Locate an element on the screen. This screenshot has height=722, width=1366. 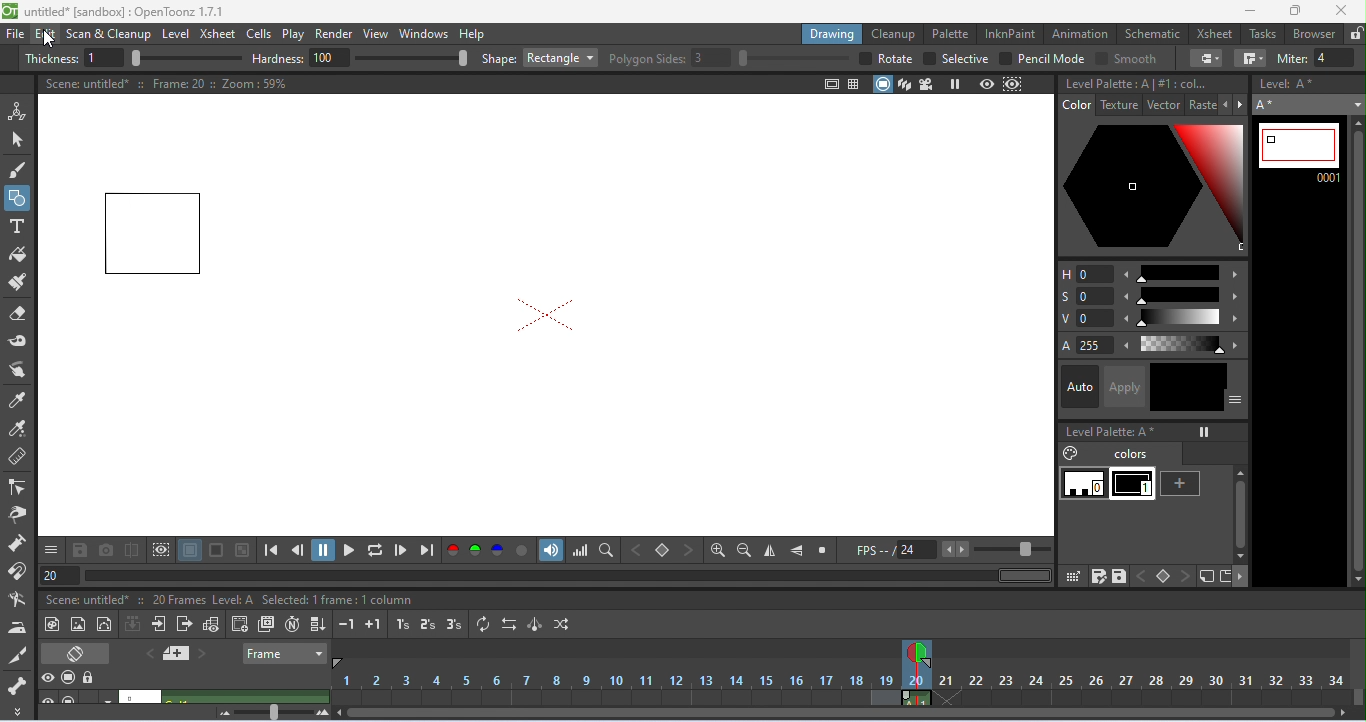
last frame is located at coordinates (427, 550).